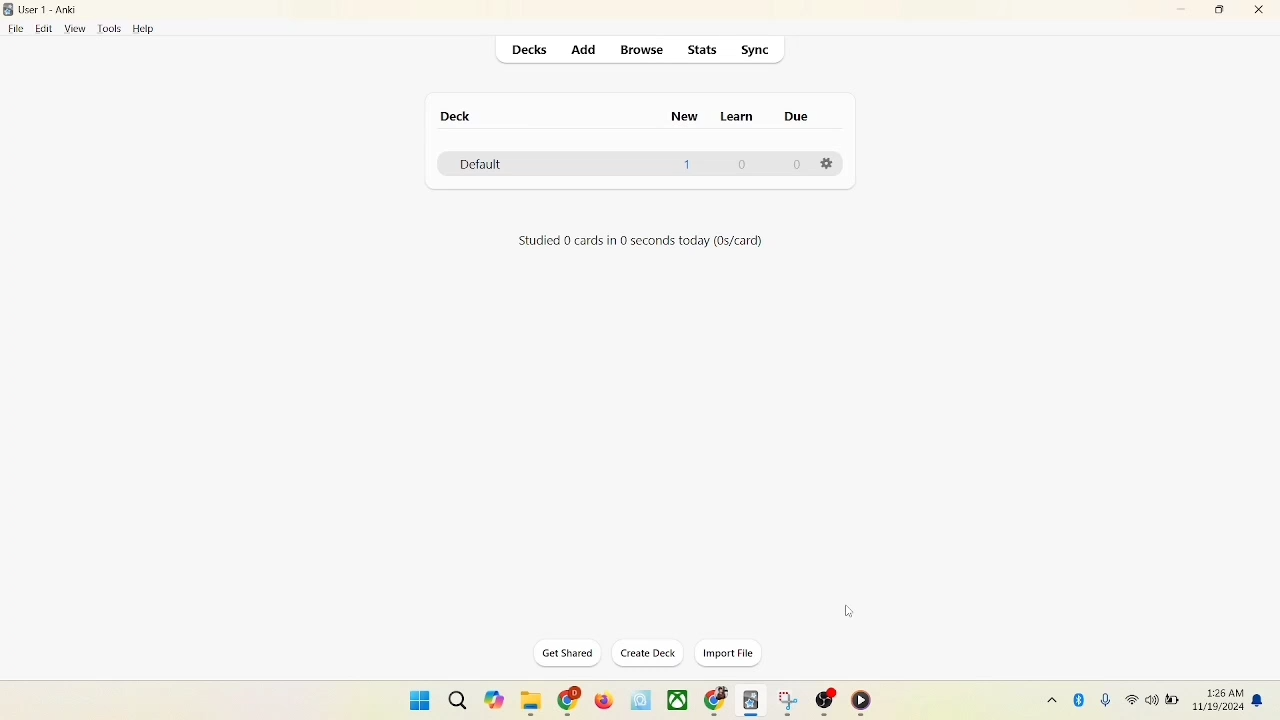  Describe the element at coordinates (1260, 11) in the screenshot. I see `close` at that location.